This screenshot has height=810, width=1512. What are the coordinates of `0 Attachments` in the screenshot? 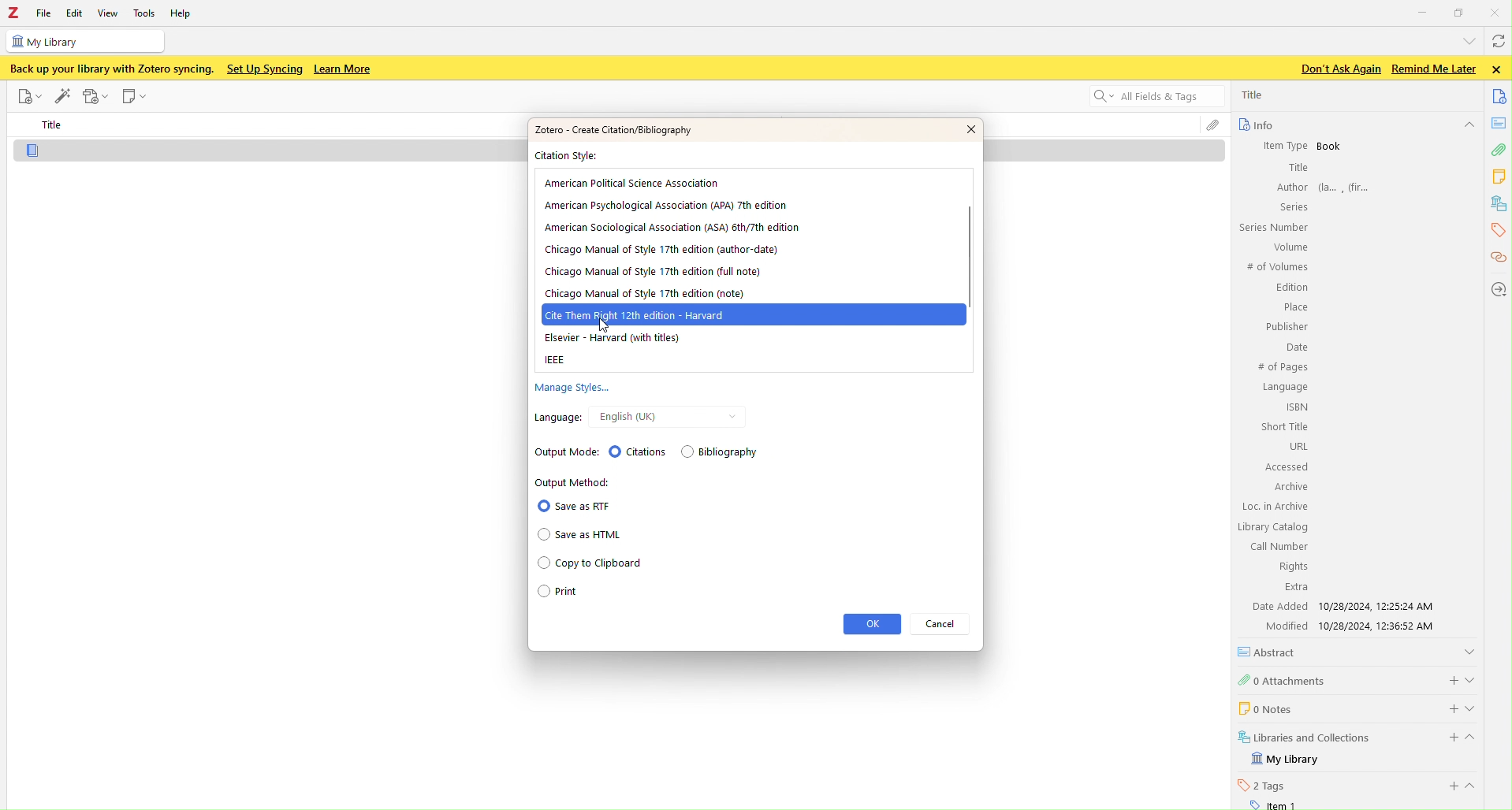 It's located at (1283, 679).